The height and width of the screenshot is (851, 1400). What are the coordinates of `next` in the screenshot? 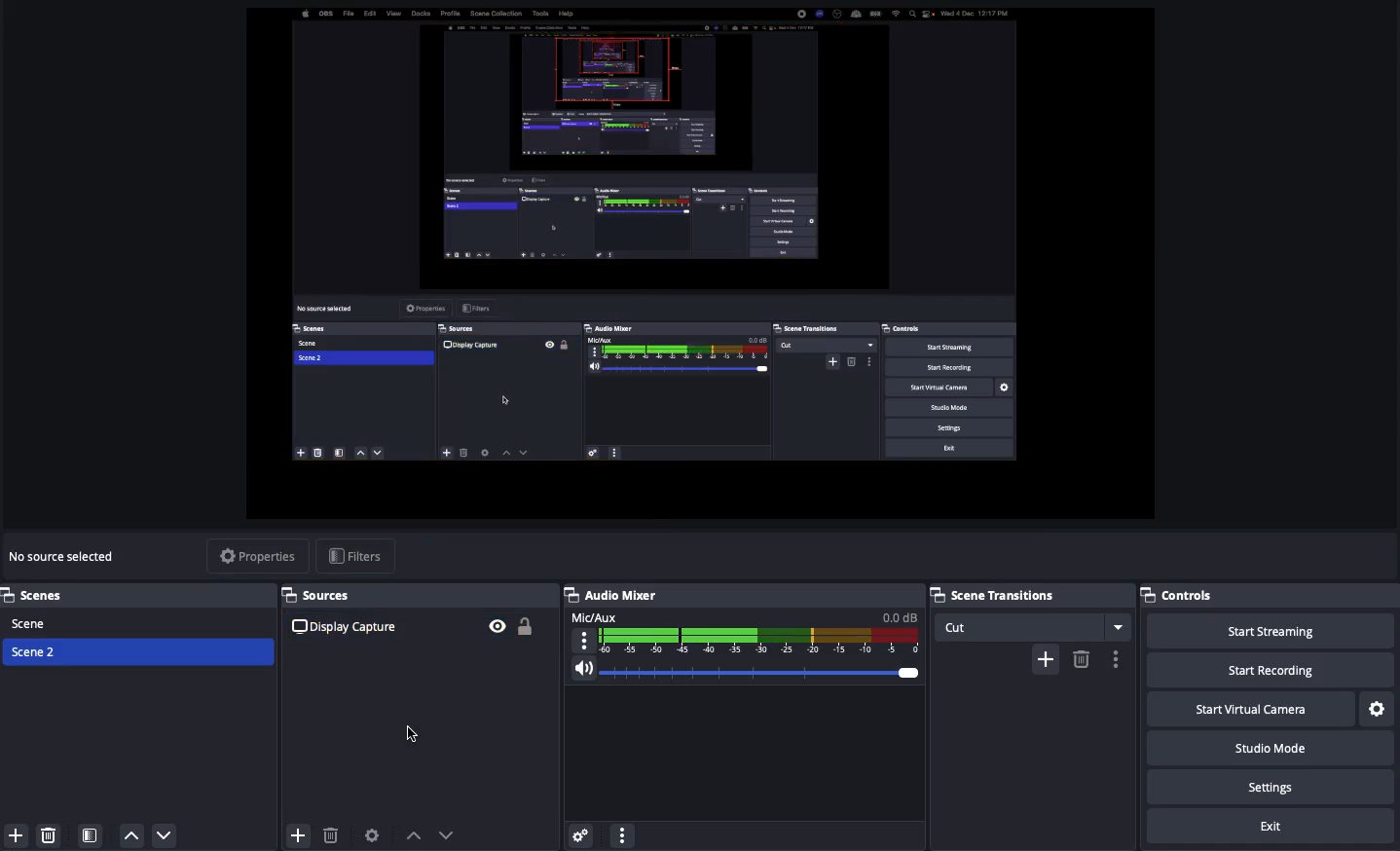 It's located at (452, 834).